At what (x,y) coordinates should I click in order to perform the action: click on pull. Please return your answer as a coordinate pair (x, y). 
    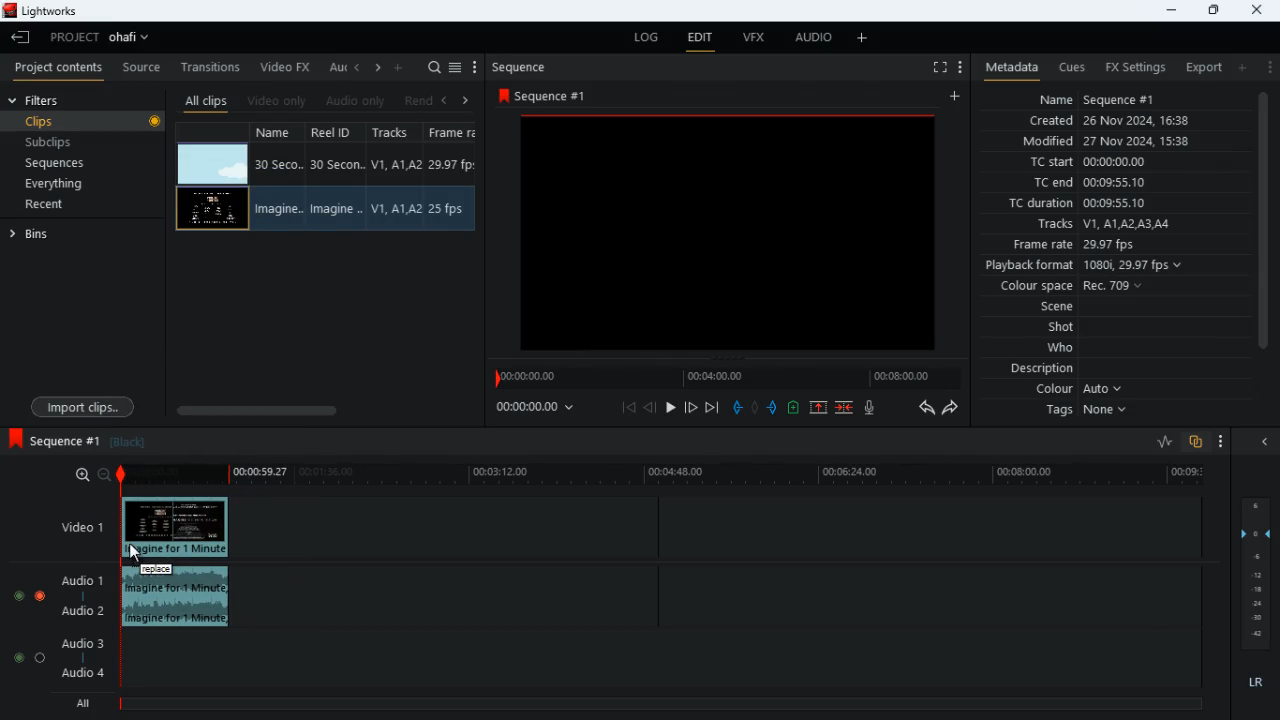
    Looking at the image, I should click on (738, 407).